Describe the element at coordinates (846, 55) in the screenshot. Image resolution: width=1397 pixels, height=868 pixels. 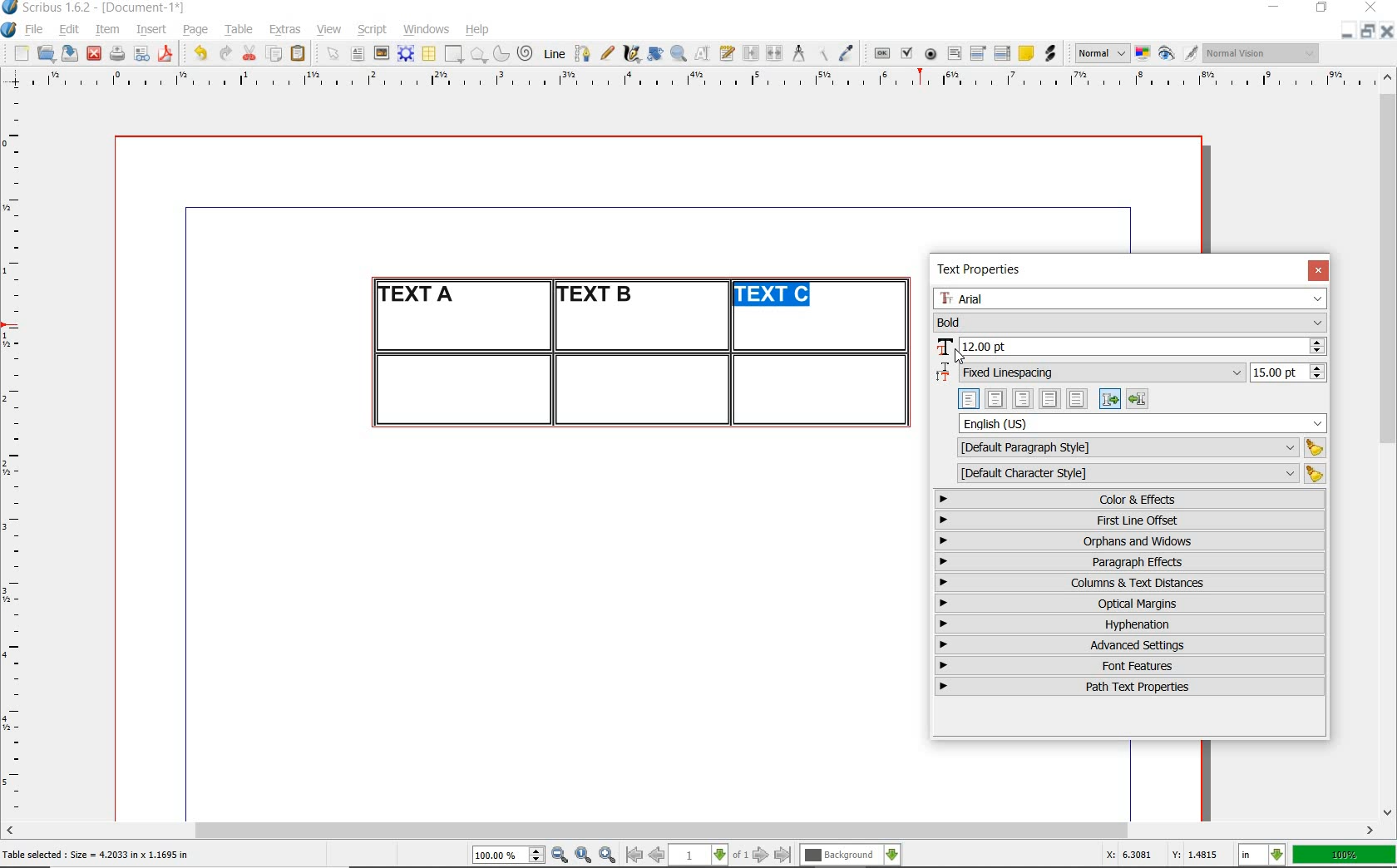
I see `eye dropper` at that location.